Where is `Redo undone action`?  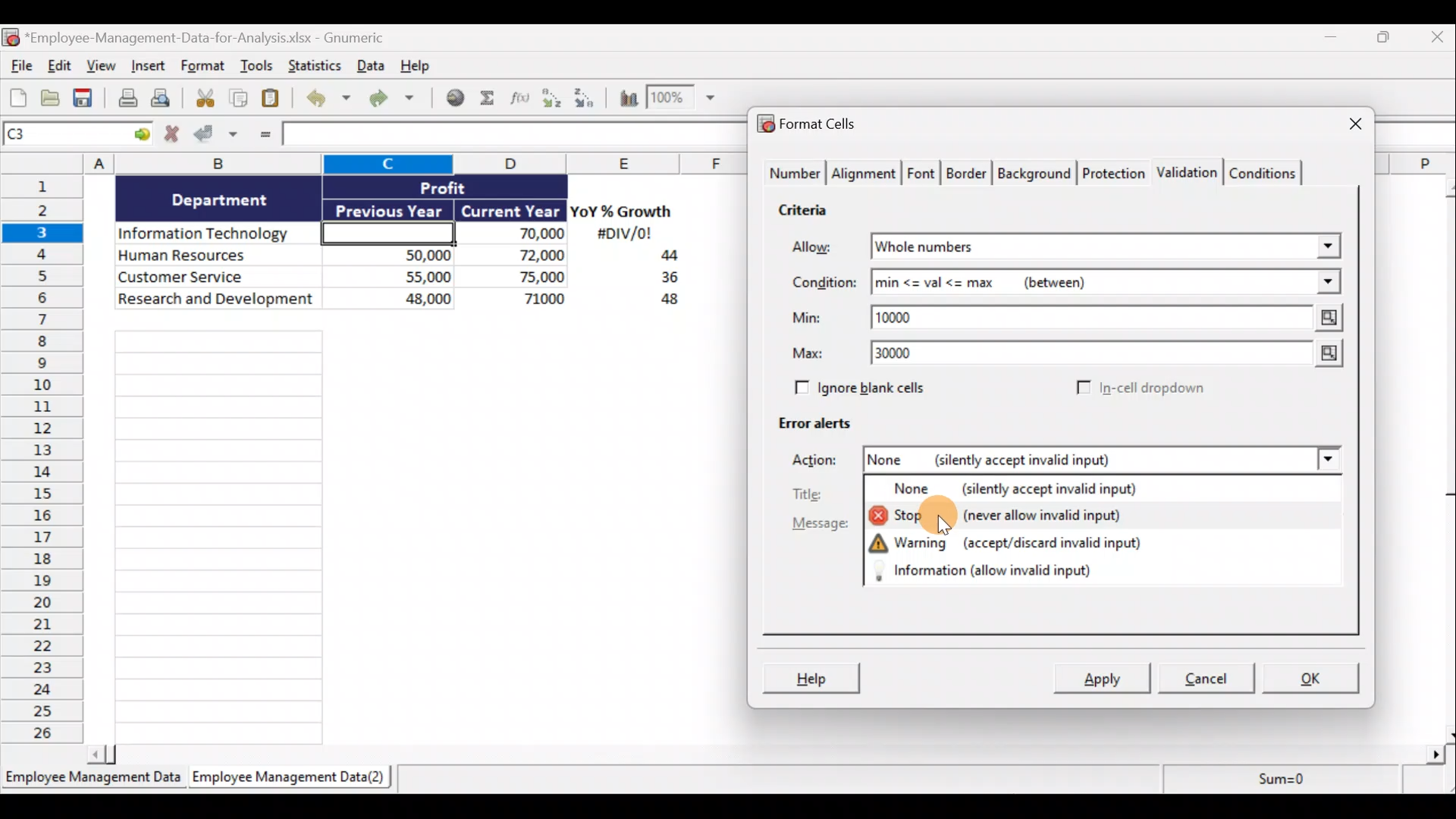 Redo undone action is located at coordinates (398, 99).